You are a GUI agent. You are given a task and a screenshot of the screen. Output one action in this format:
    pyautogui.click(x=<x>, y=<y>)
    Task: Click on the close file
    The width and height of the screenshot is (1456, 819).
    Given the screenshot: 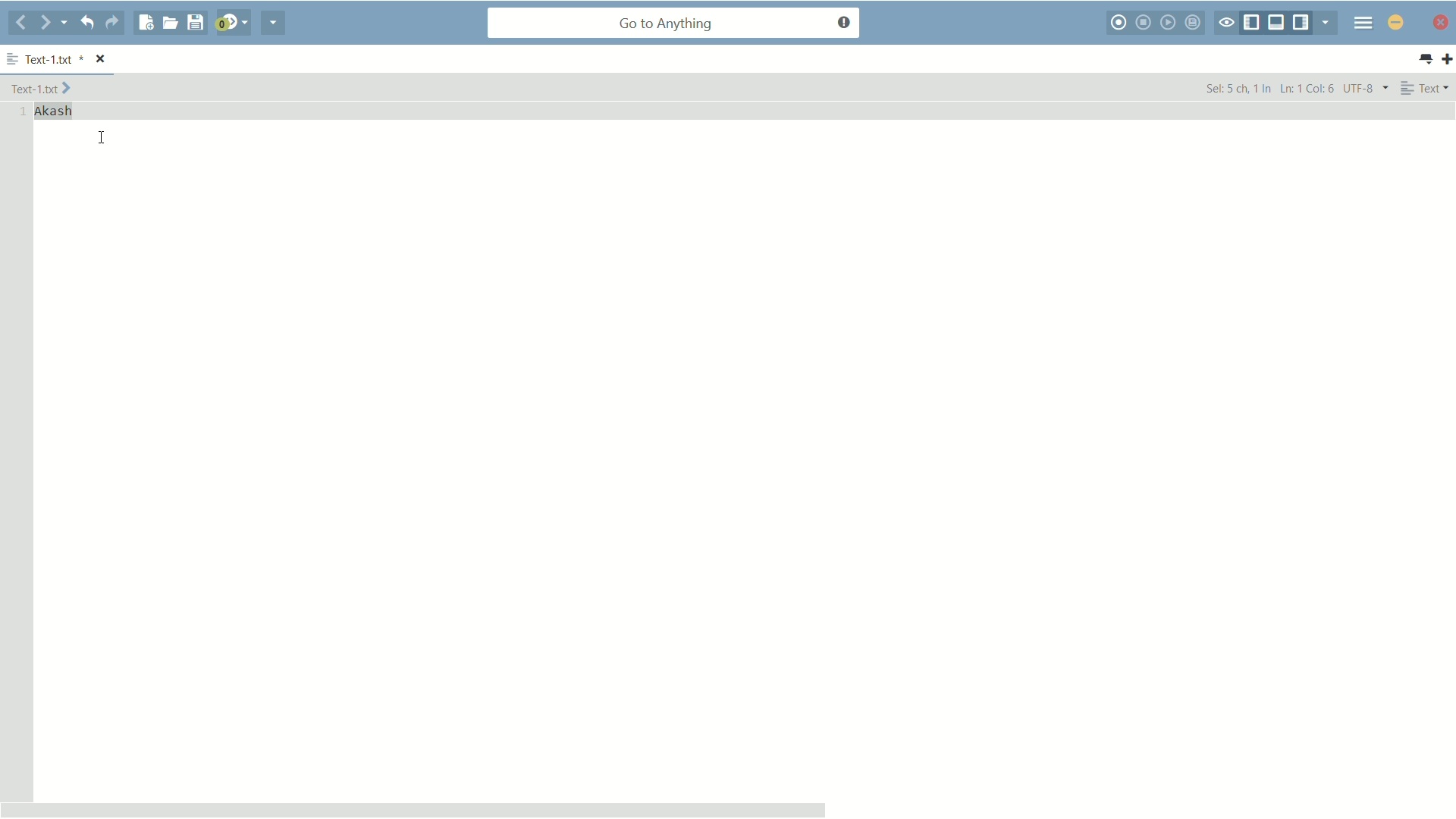 What is the action you would take?
    pyautogui.click(x=102, y=60)
    